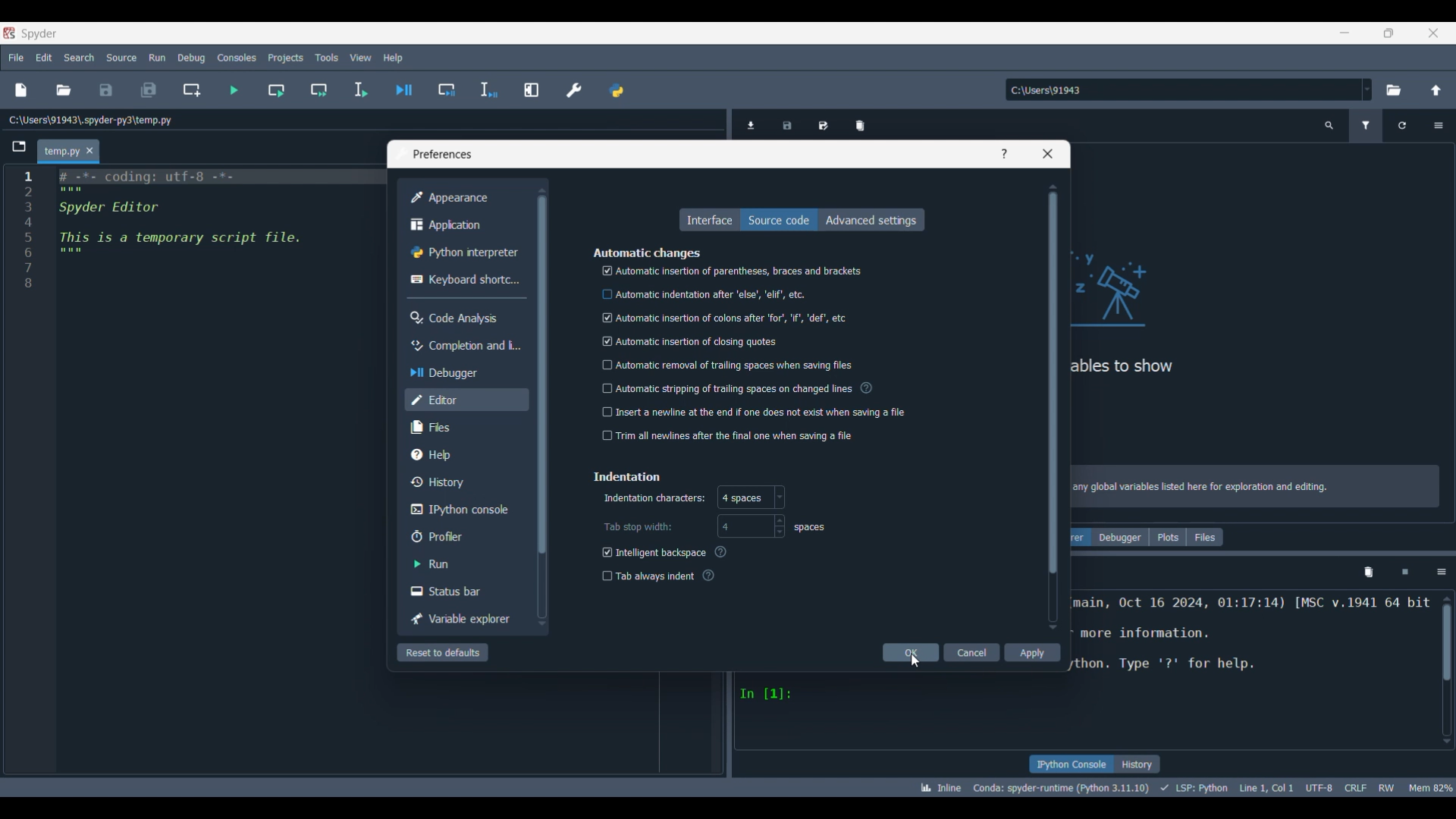 The height and width of the screenshot is (819, 1456). What do you see at coordinates (646, 253) in the screenshot?
I see `Section title` at bounding box center [646, 253].